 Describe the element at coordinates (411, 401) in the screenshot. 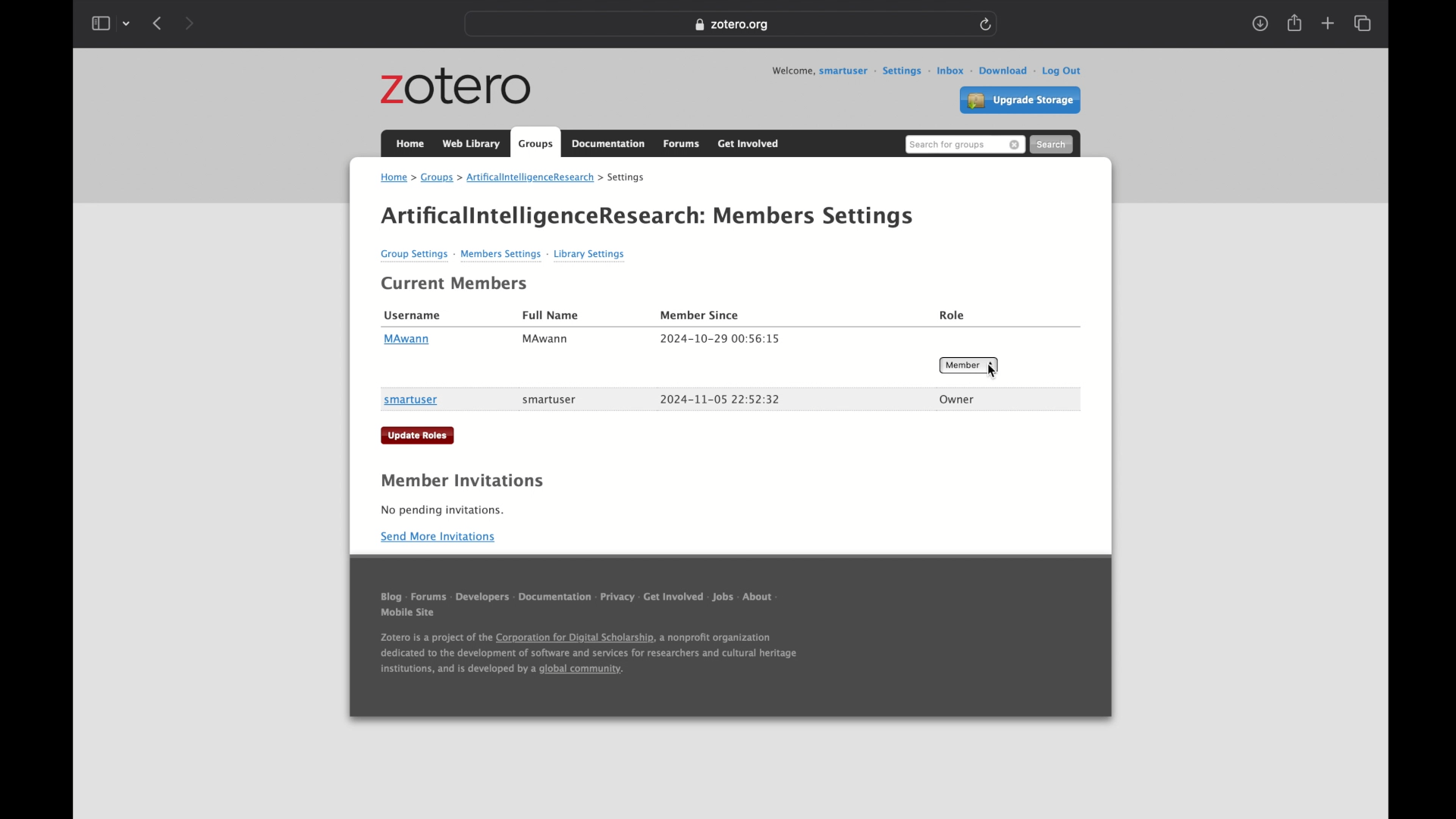

I see `smartuser` at that location.